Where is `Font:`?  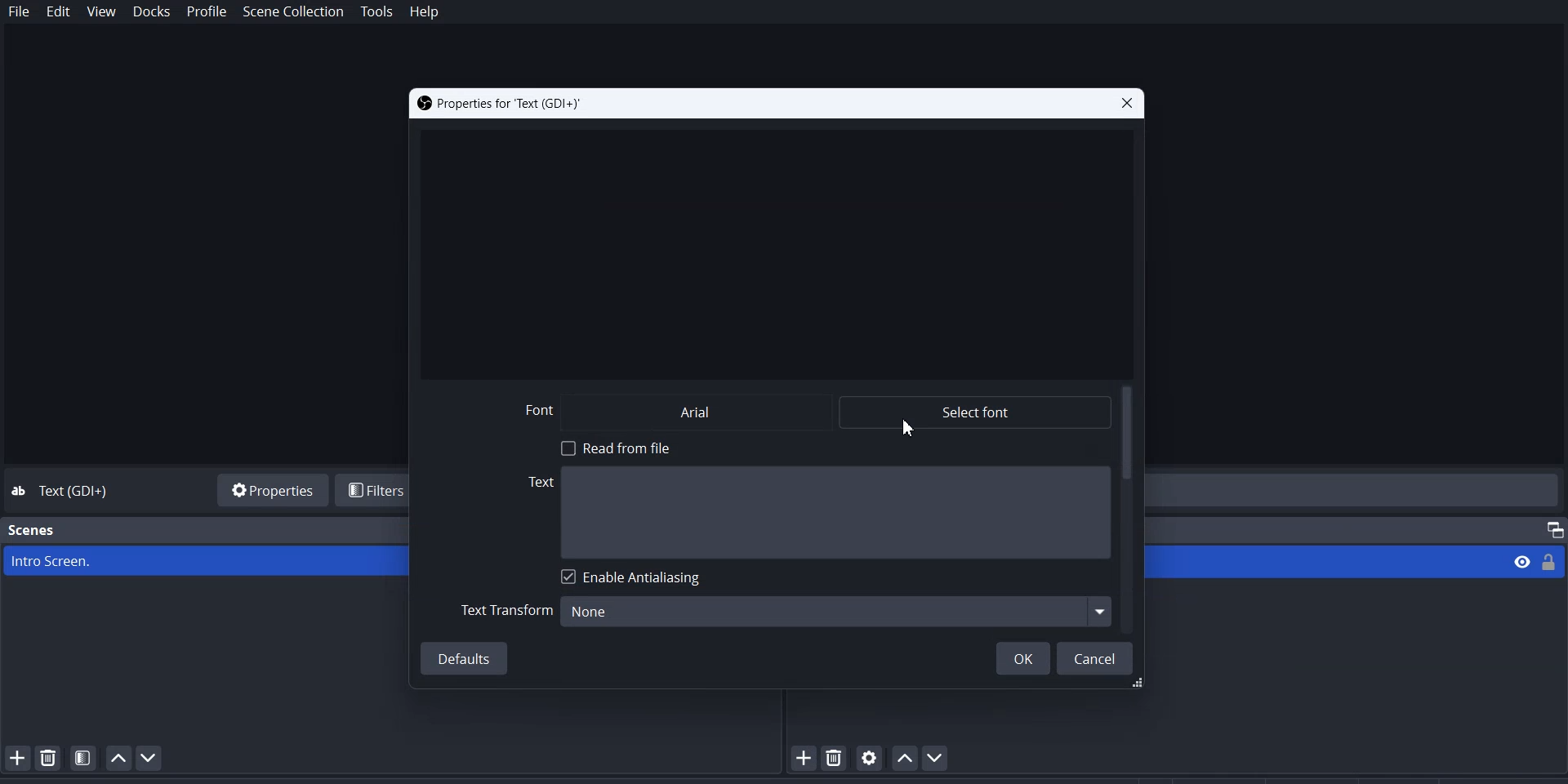 Font: is located at coordinates (546, 408).